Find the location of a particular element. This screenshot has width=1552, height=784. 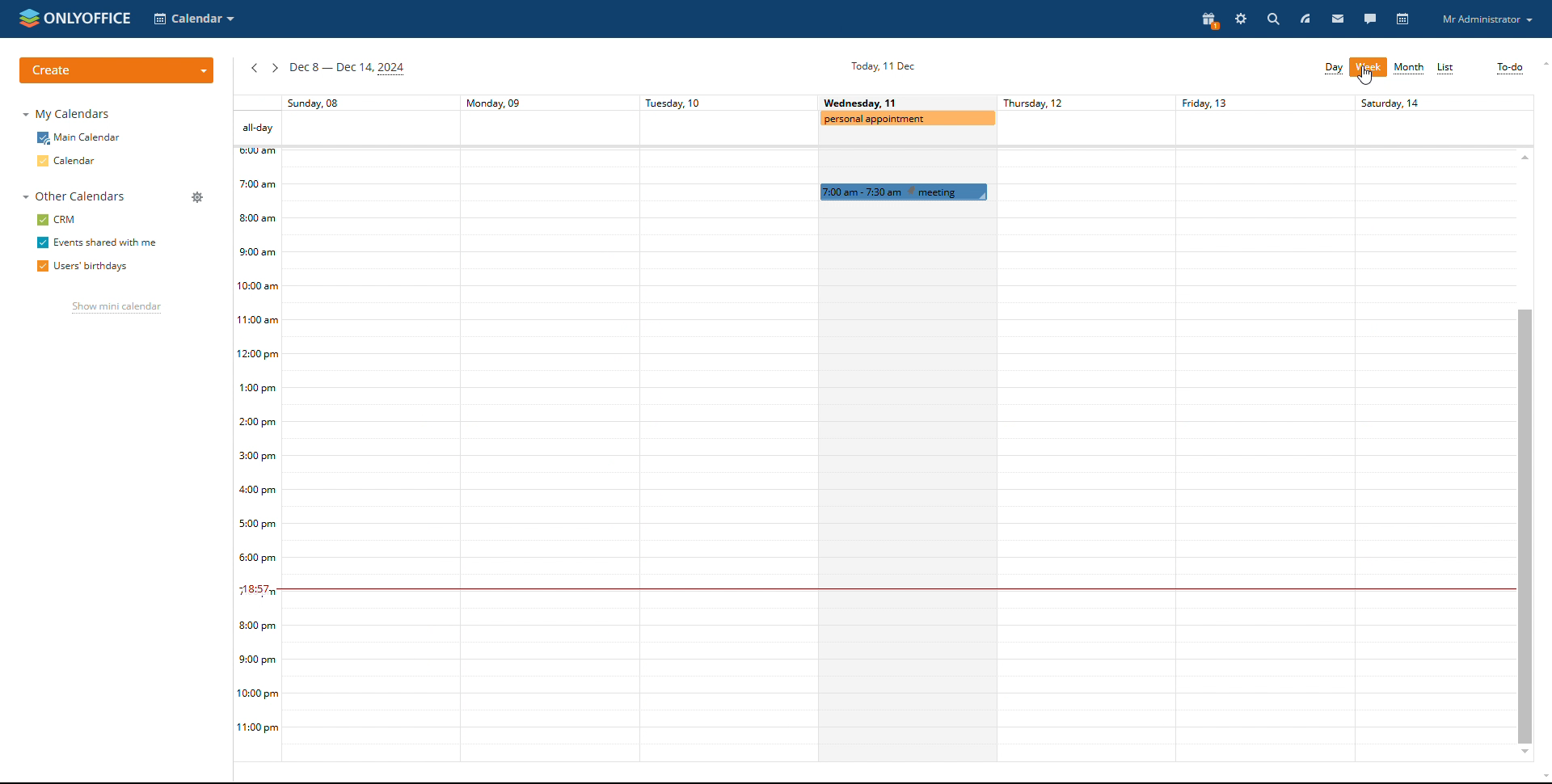

days is located at coordinates (883, 103).